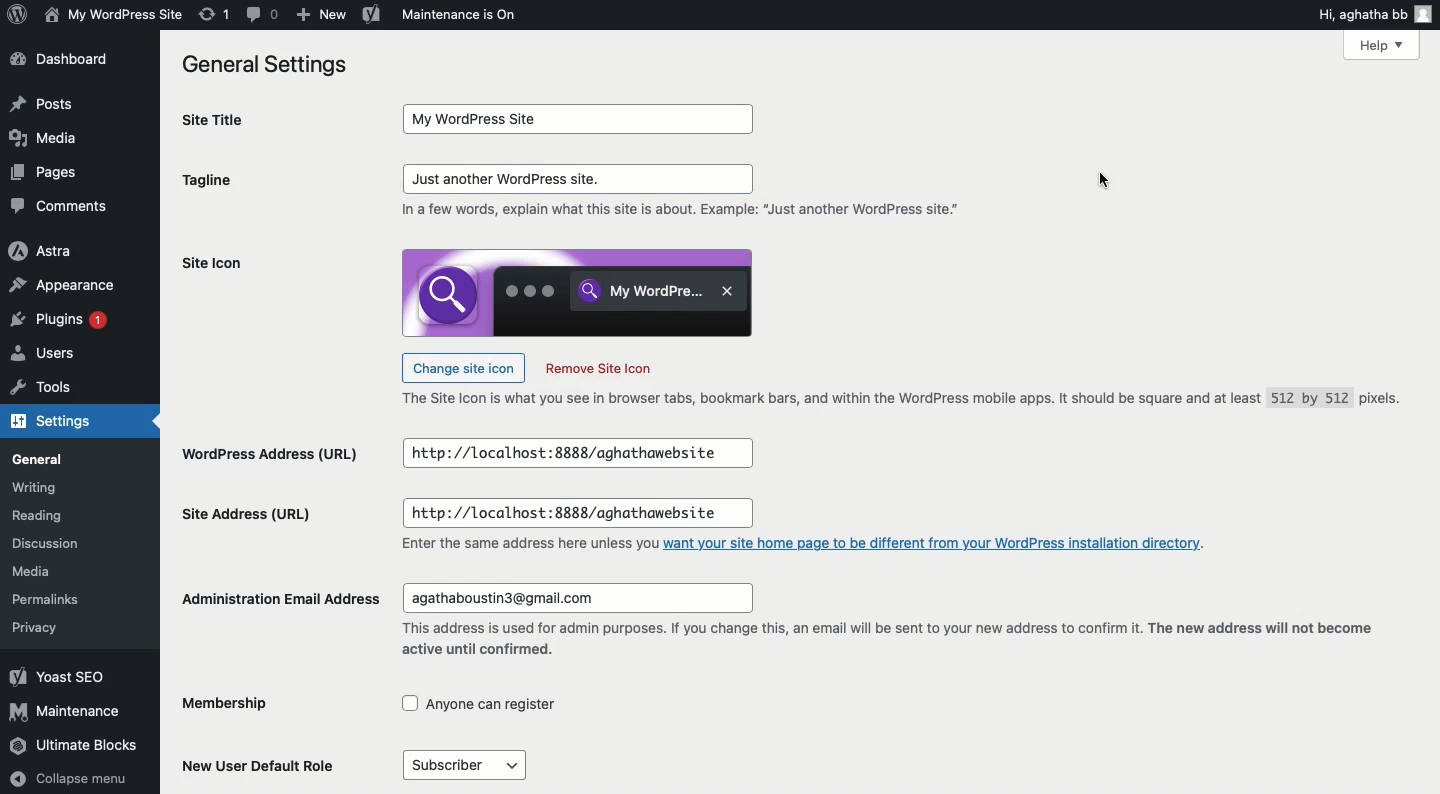 The width and height of the screenshot is (1440, 794). Describe the element at coordinates (1376, 14) in the screenshot. I see `Hi user` at that location.